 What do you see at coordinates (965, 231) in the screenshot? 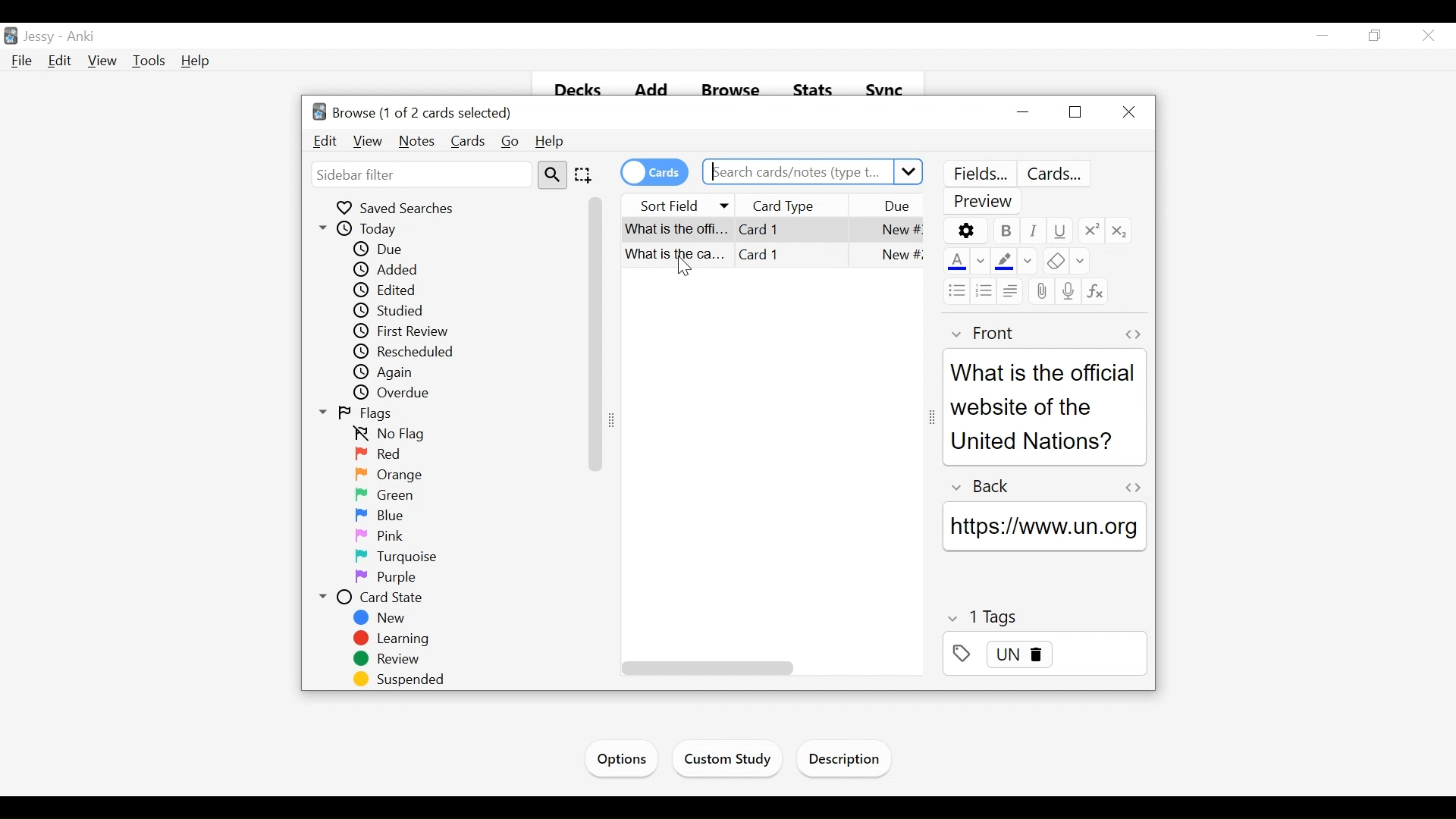
I see `options` at bounding box center [965, 231].